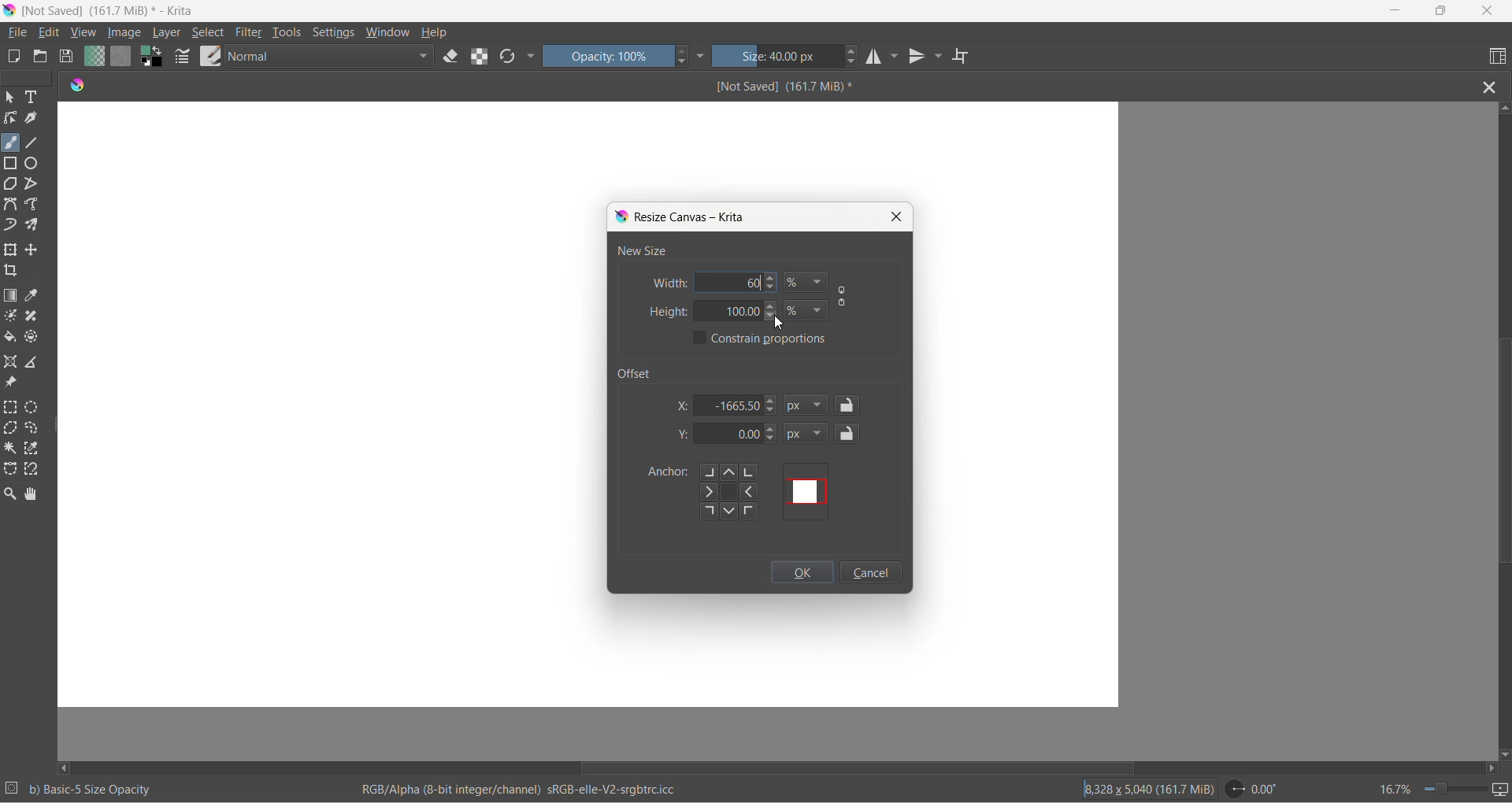 This screenshot has height=803, width=1512. I want to click on horizontal scroll bar, so click(857, 763).